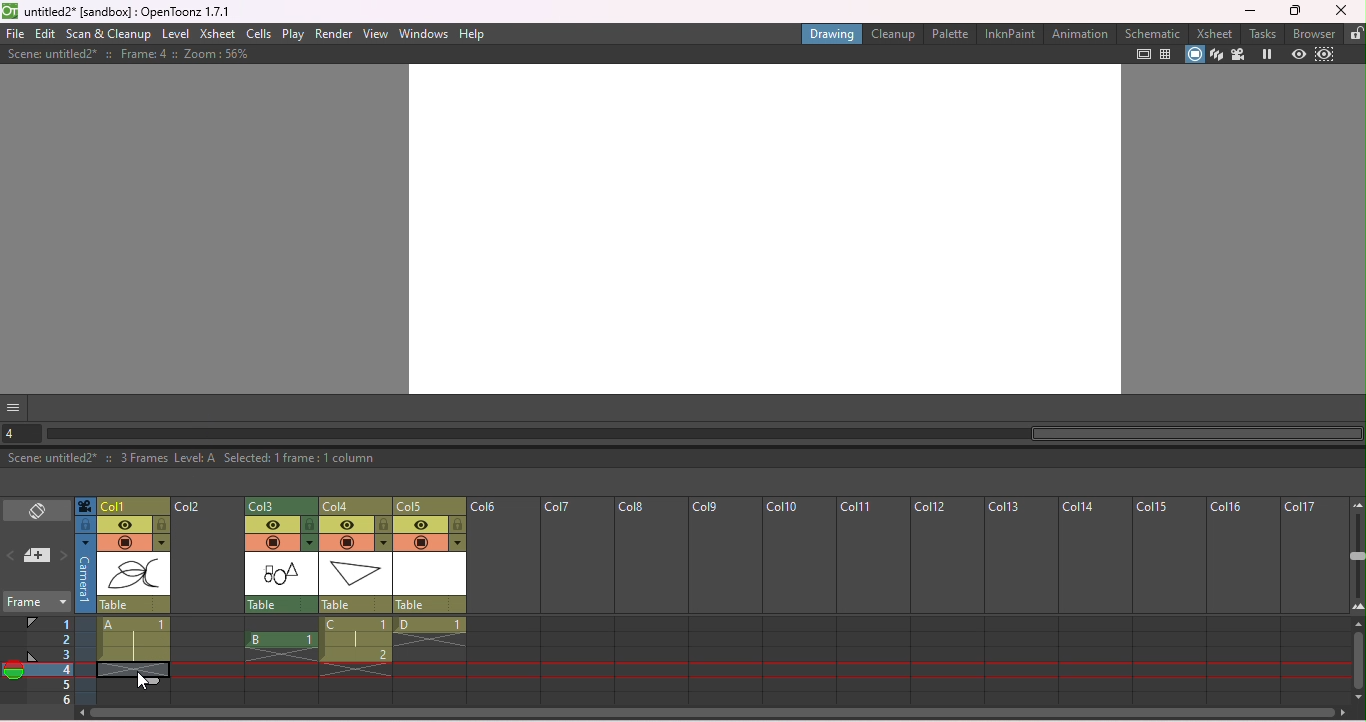 This screenshot has width=1366, height=722. I want to click on click to select camera, so click(85, 525).